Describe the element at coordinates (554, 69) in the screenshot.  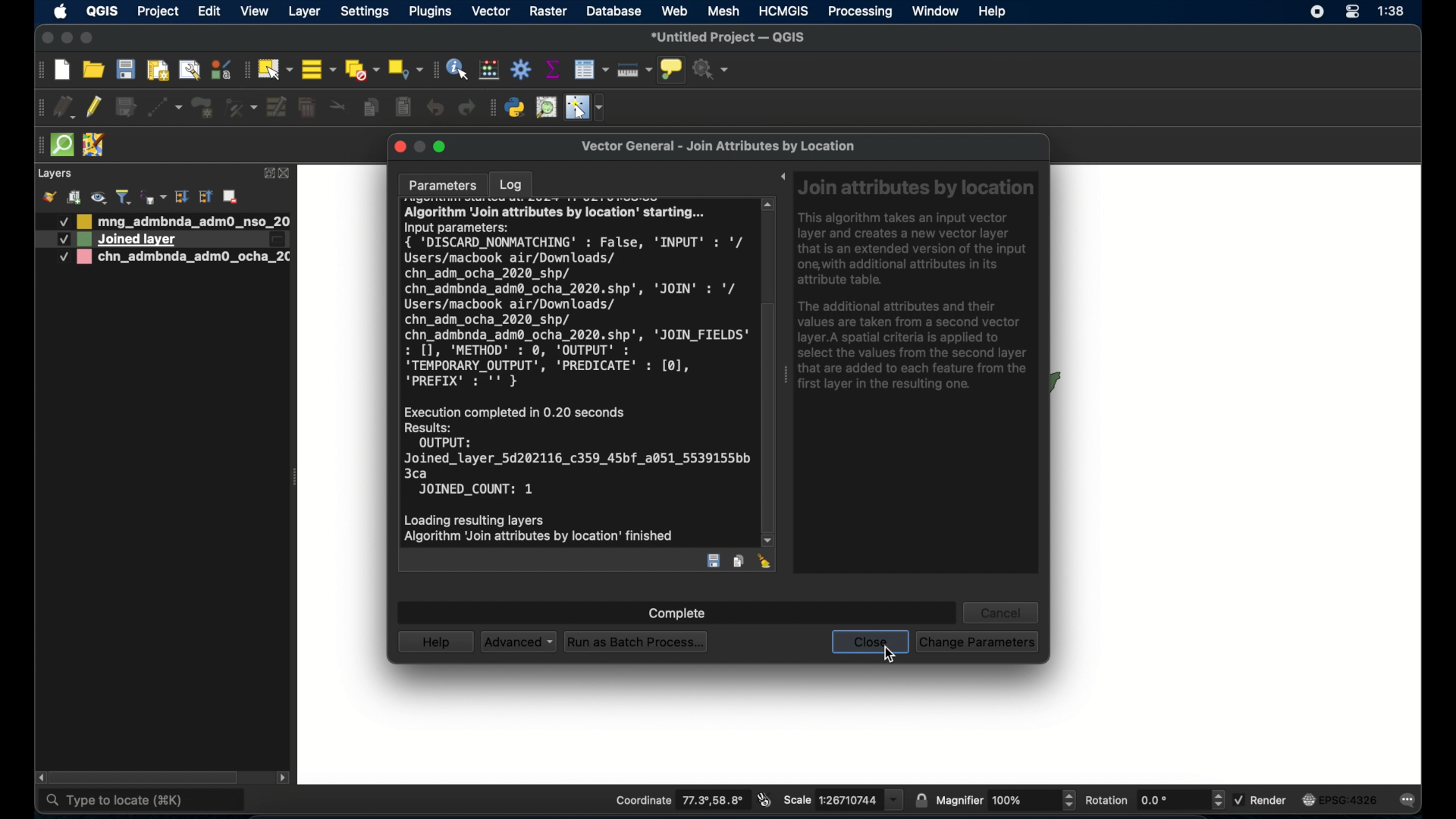
I see `show statistical summary ` at that location.